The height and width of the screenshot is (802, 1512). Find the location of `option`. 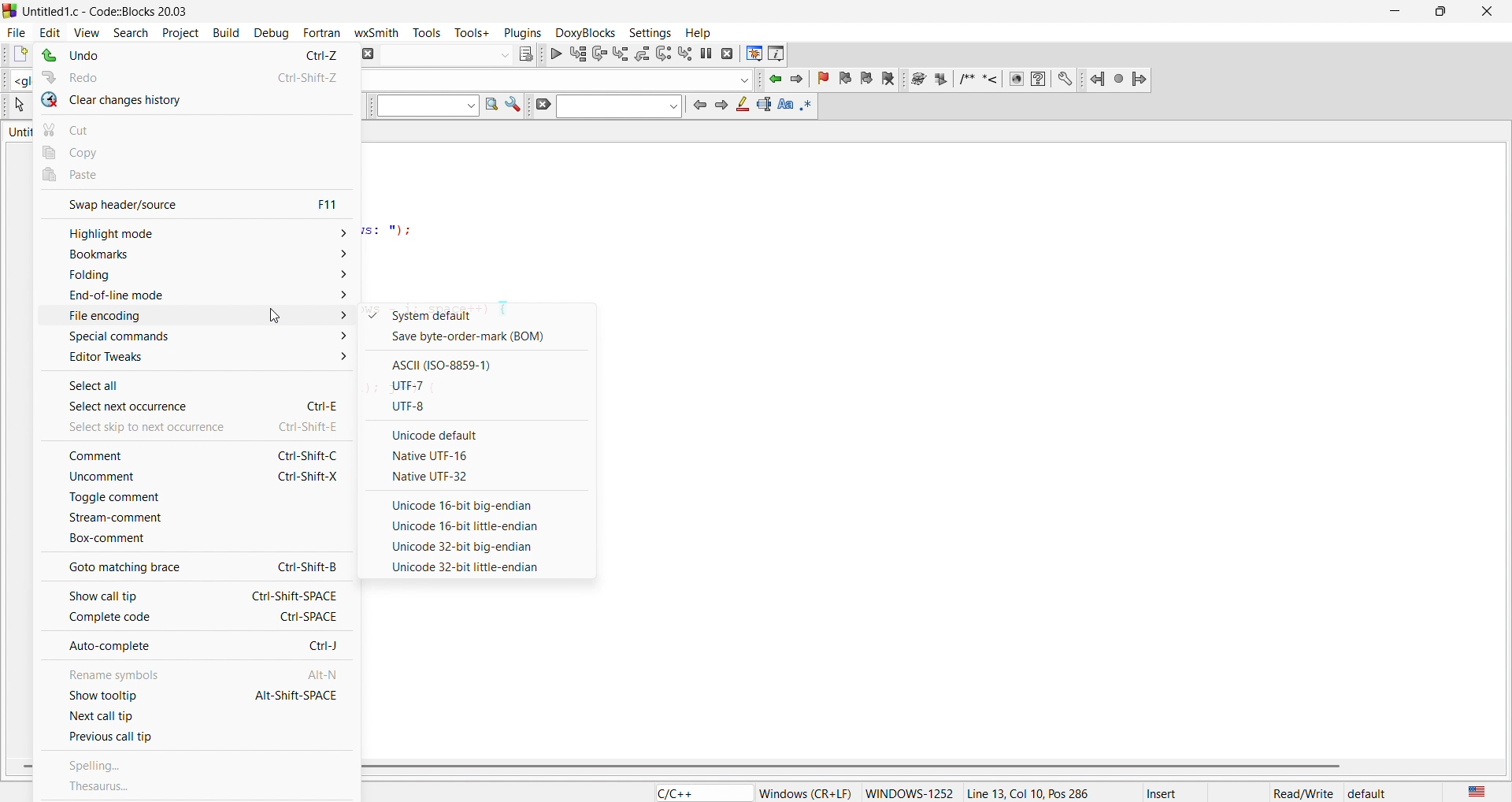

option is located at coordinates (477, 566).